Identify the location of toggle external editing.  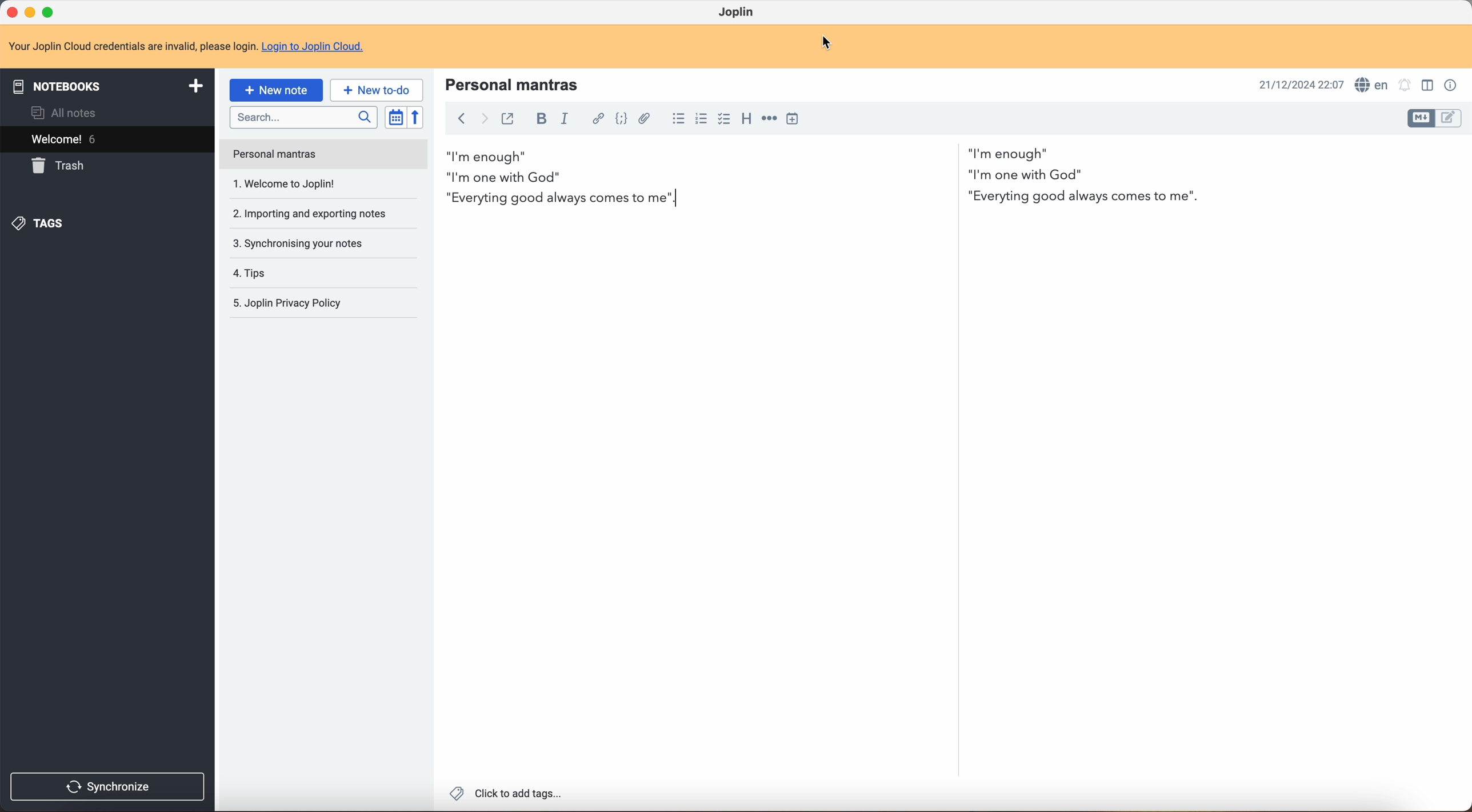
(507, 118).